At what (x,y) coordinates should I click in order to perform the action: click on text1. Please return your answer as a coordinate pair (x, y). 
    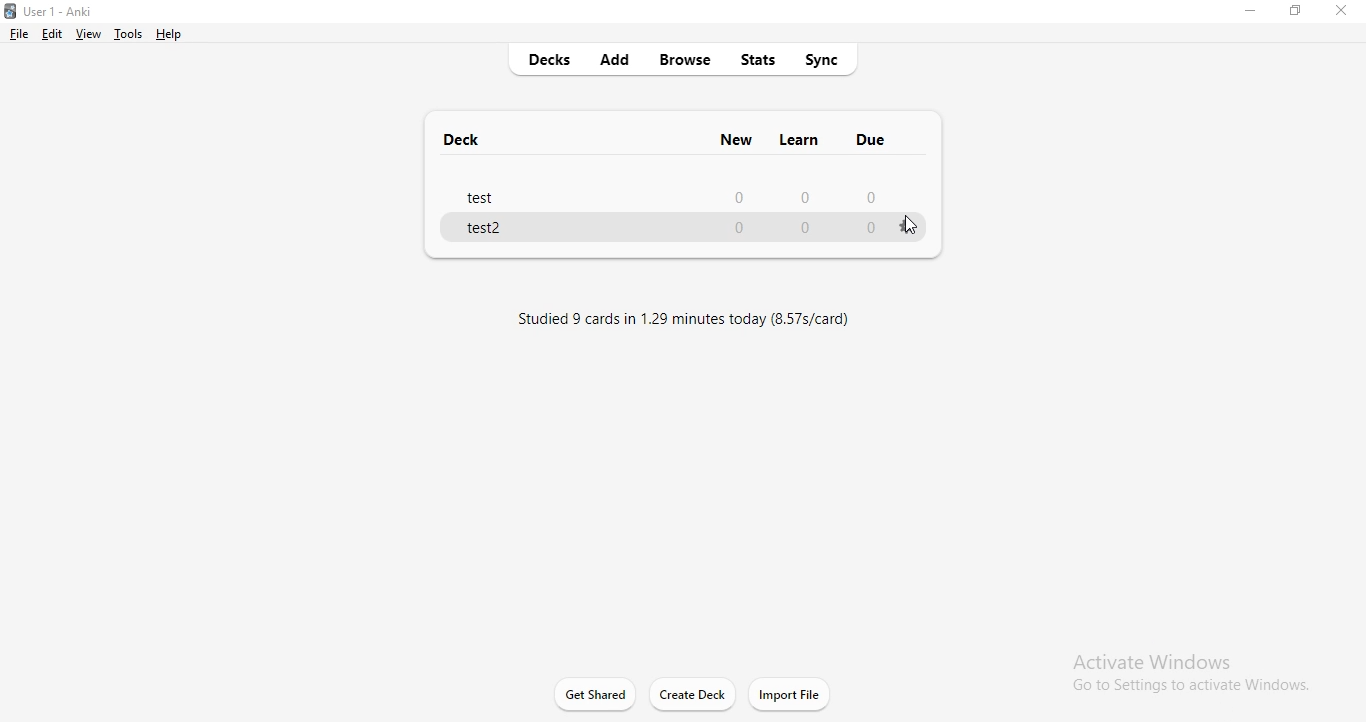
    Looking at the image, I should click on (702, 324).